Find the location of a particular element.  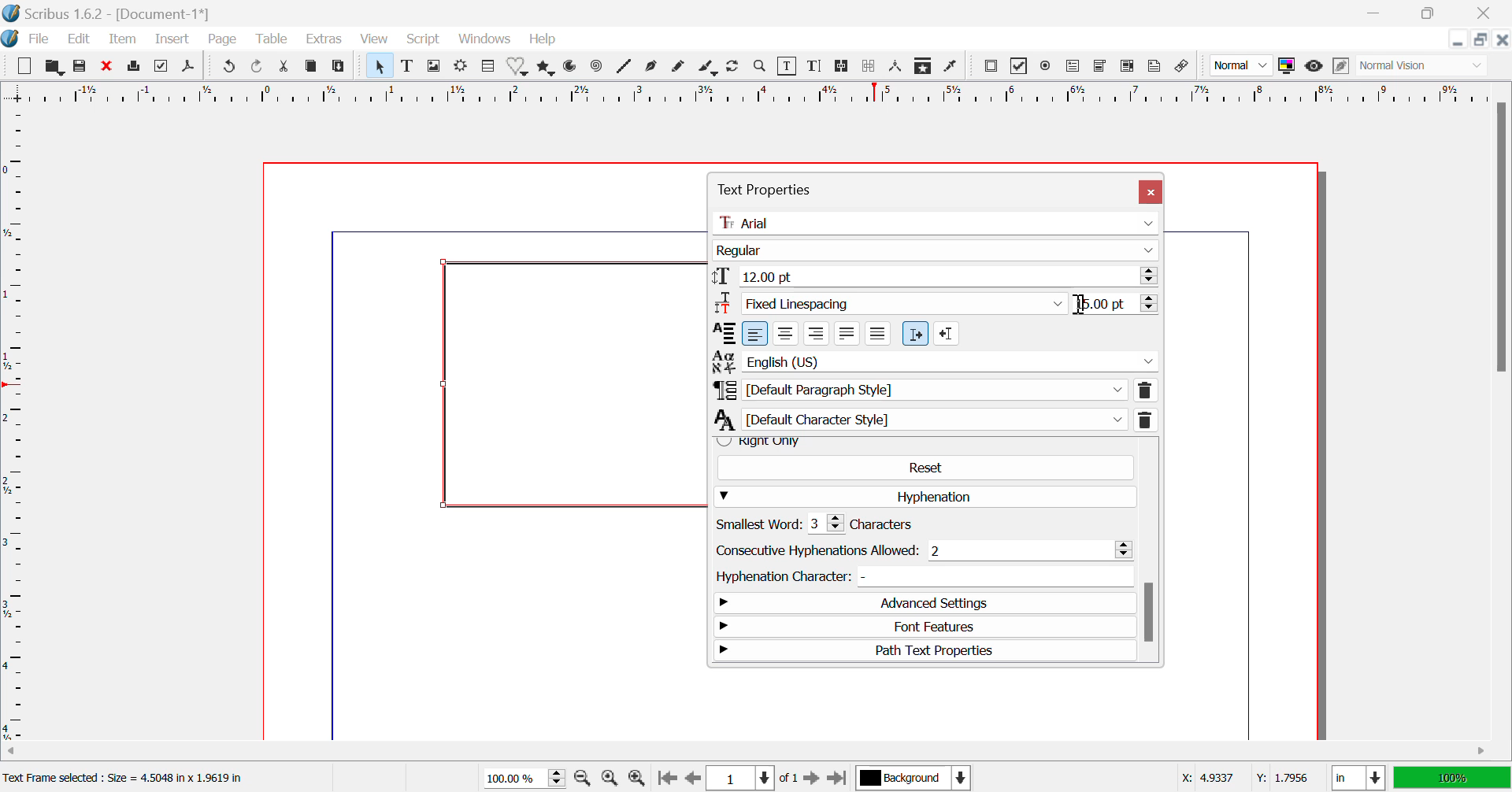

alignment is located at coordinates (722, 333).